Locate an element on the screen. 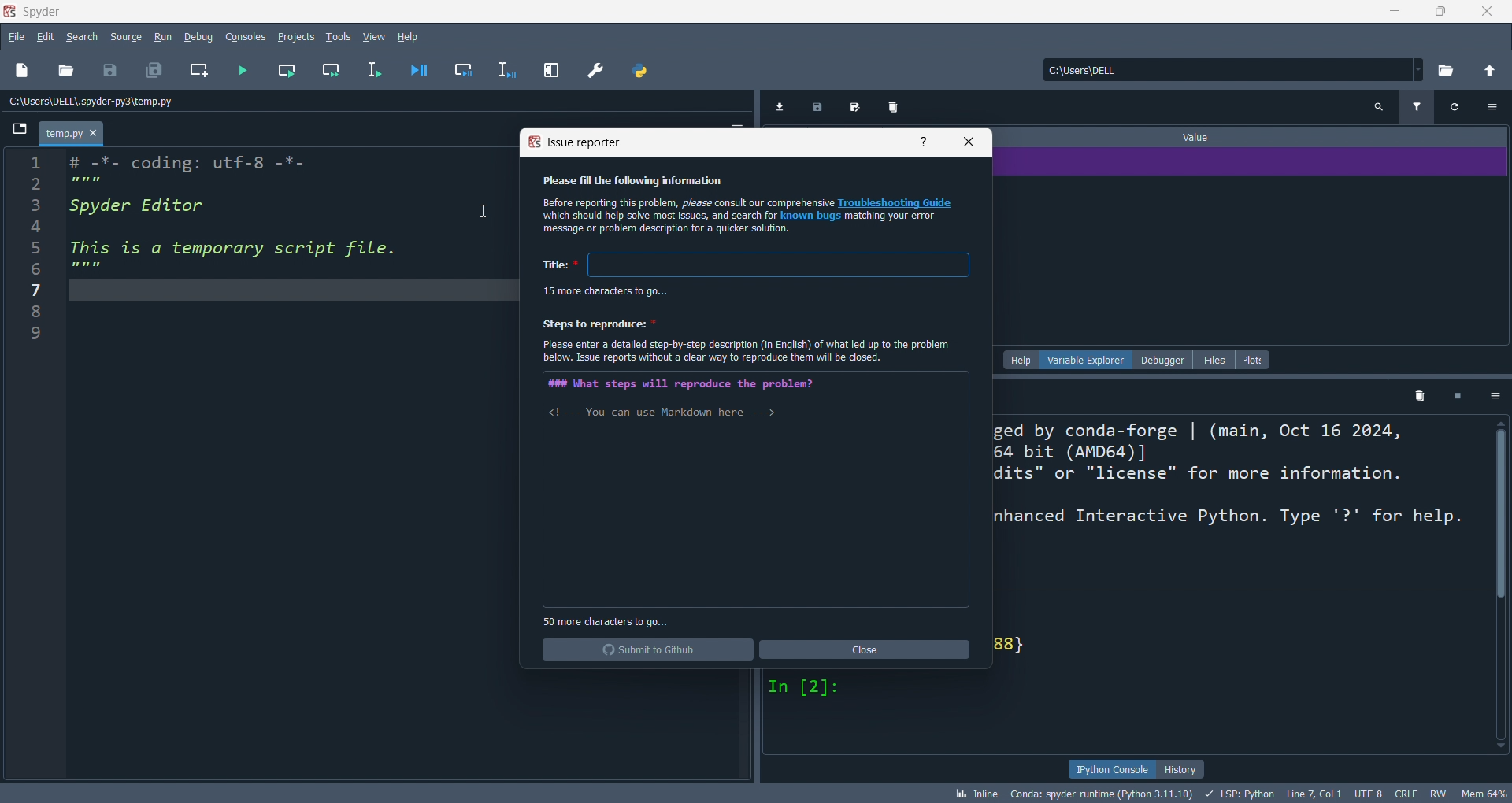  report issue title bar is located at coordinates (578, 142).